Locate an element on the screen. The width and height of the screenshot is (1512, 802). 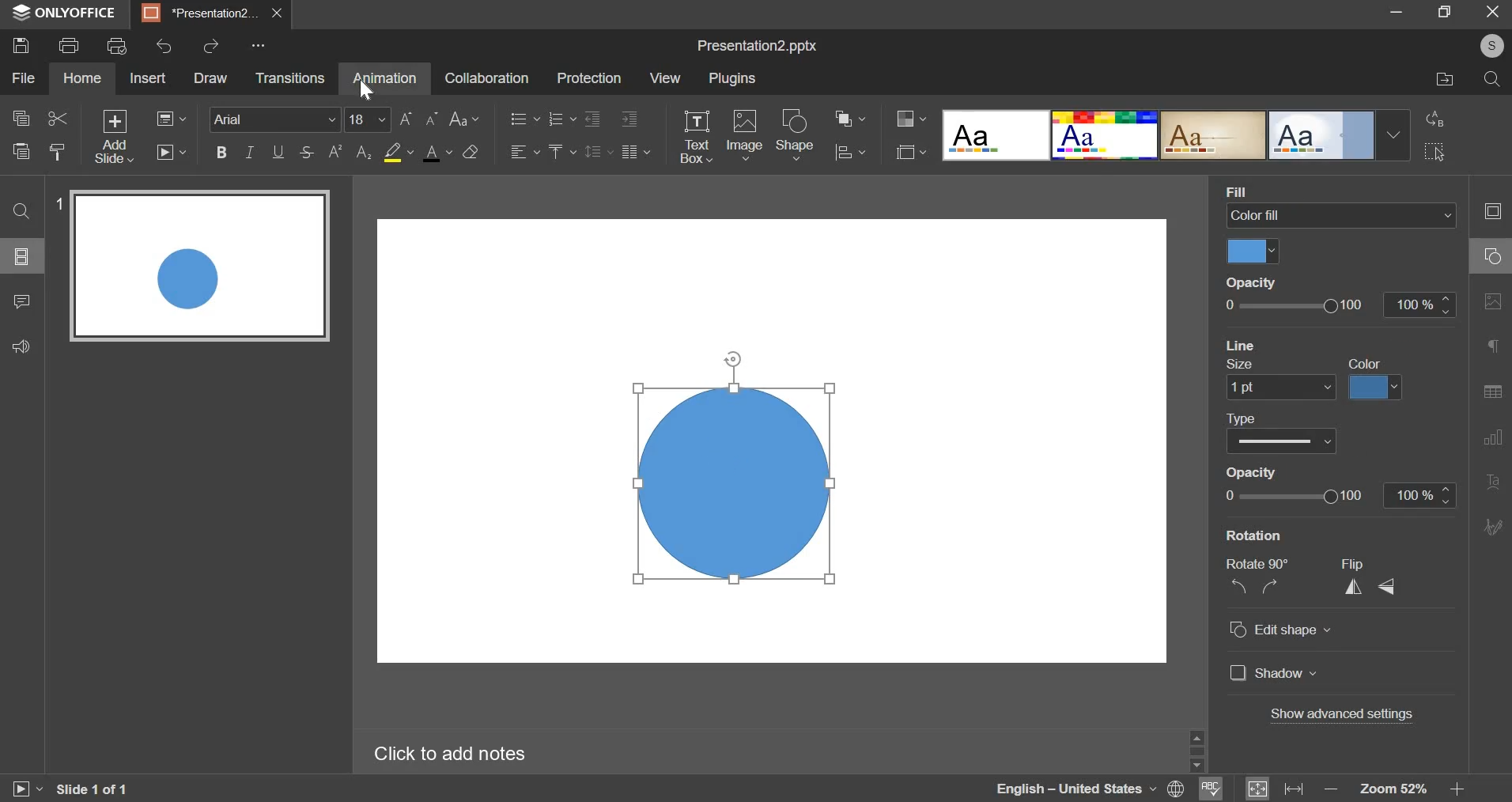
line spacing is located at coordinates (600, 153).